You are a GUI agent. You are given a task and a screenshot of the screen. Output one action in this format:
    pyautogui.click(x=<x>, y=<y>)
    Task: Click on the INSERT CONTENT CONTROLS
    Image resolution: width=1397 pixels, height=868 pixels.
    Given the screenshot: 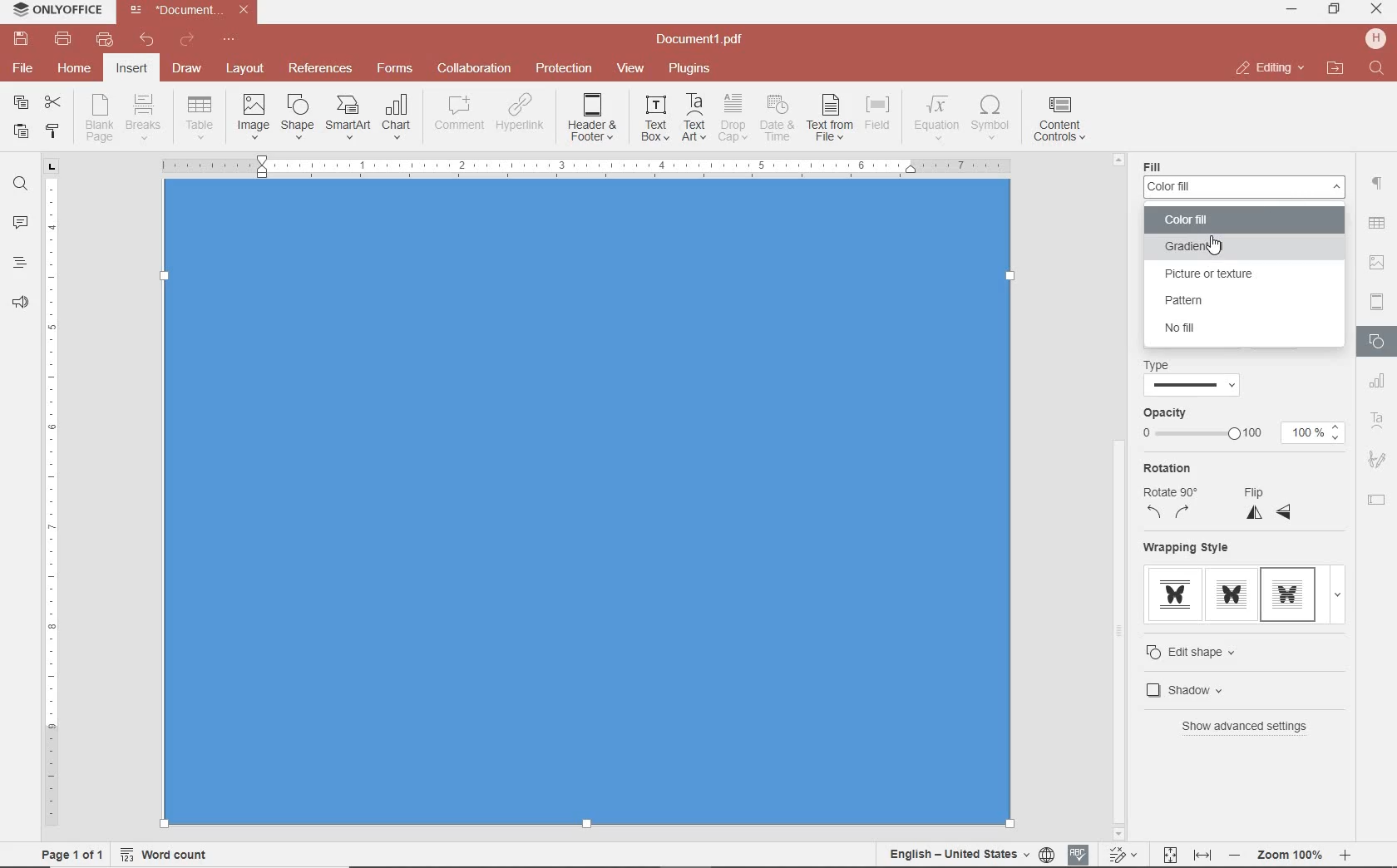 What is the action you would take?
    pyautogui.click(x=1059, y=120)
    